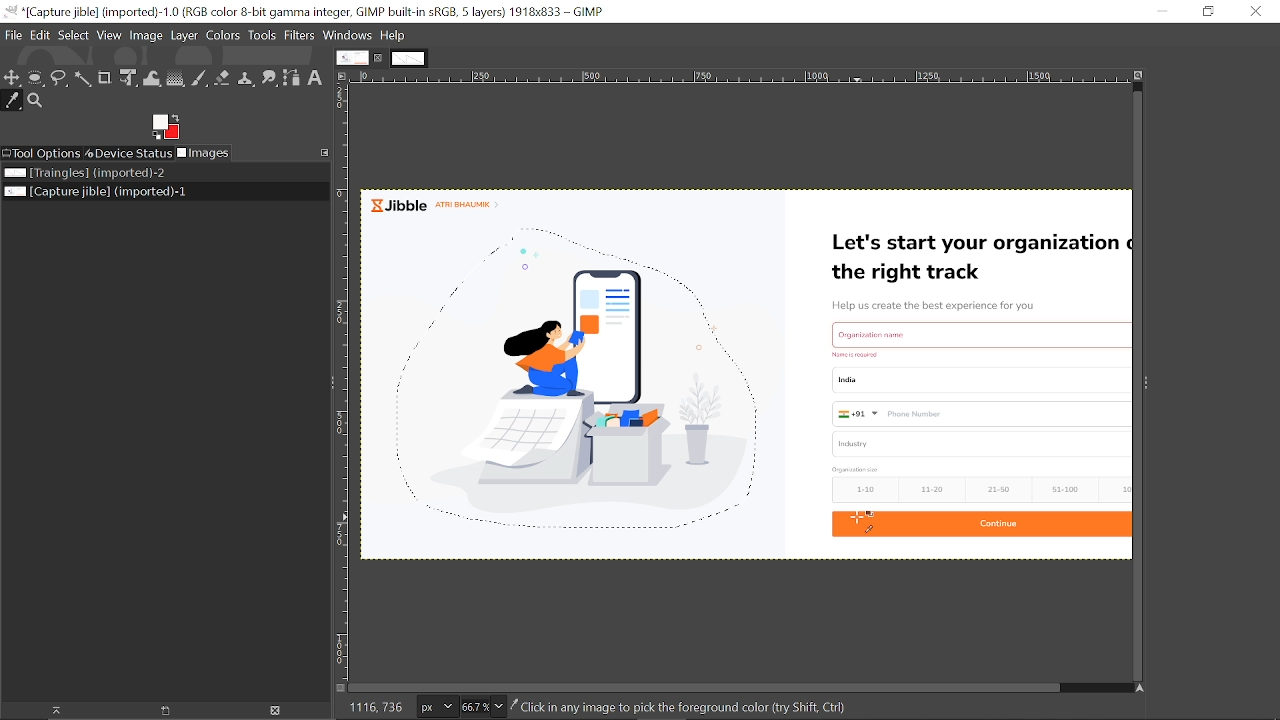  Describe the element at coordinates (40, 35) in the screenshot. I see `Edit` at that location.